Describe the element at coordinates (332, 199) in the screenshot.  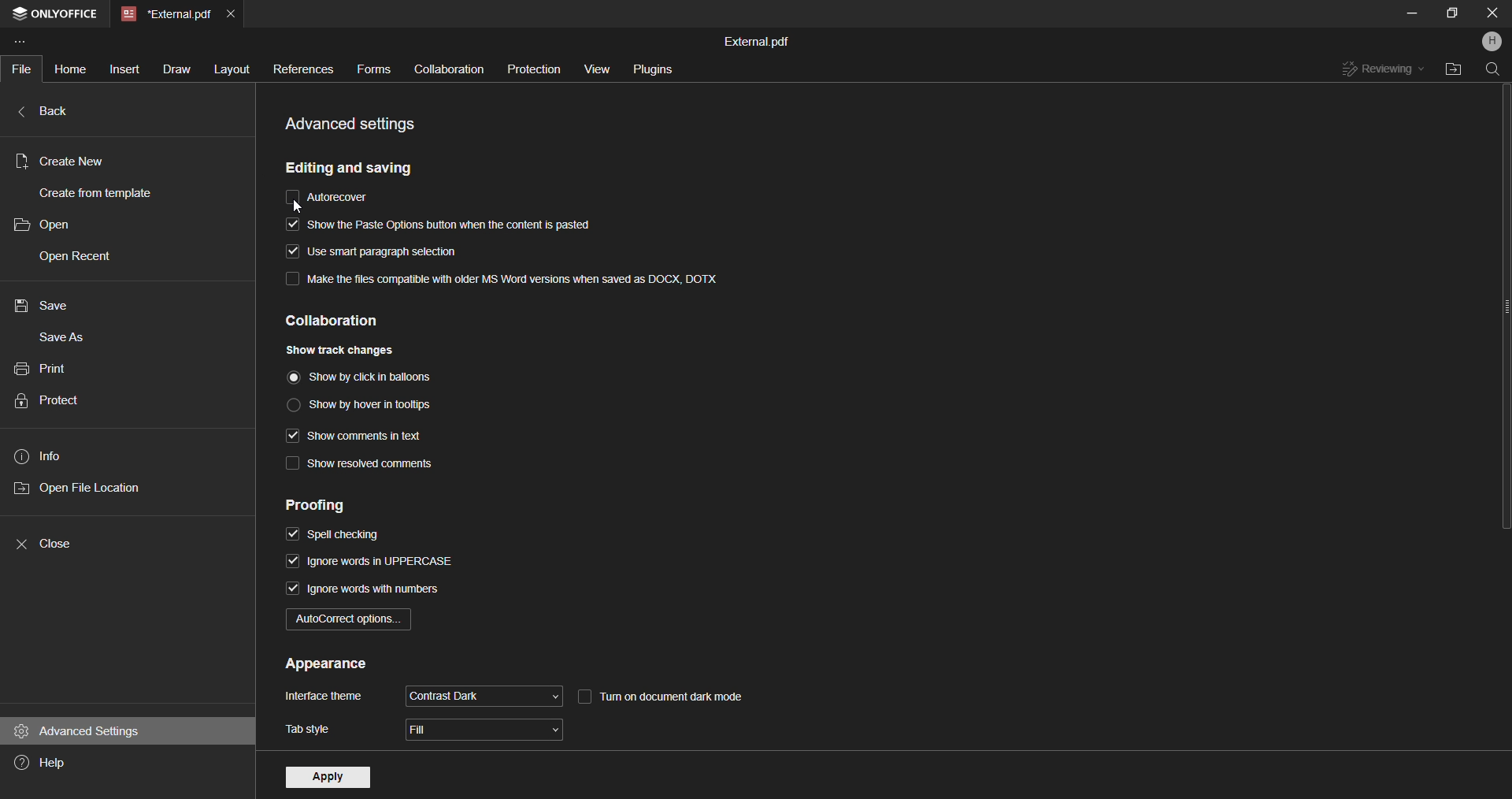
I see `auto recover/ auto save` at that location.